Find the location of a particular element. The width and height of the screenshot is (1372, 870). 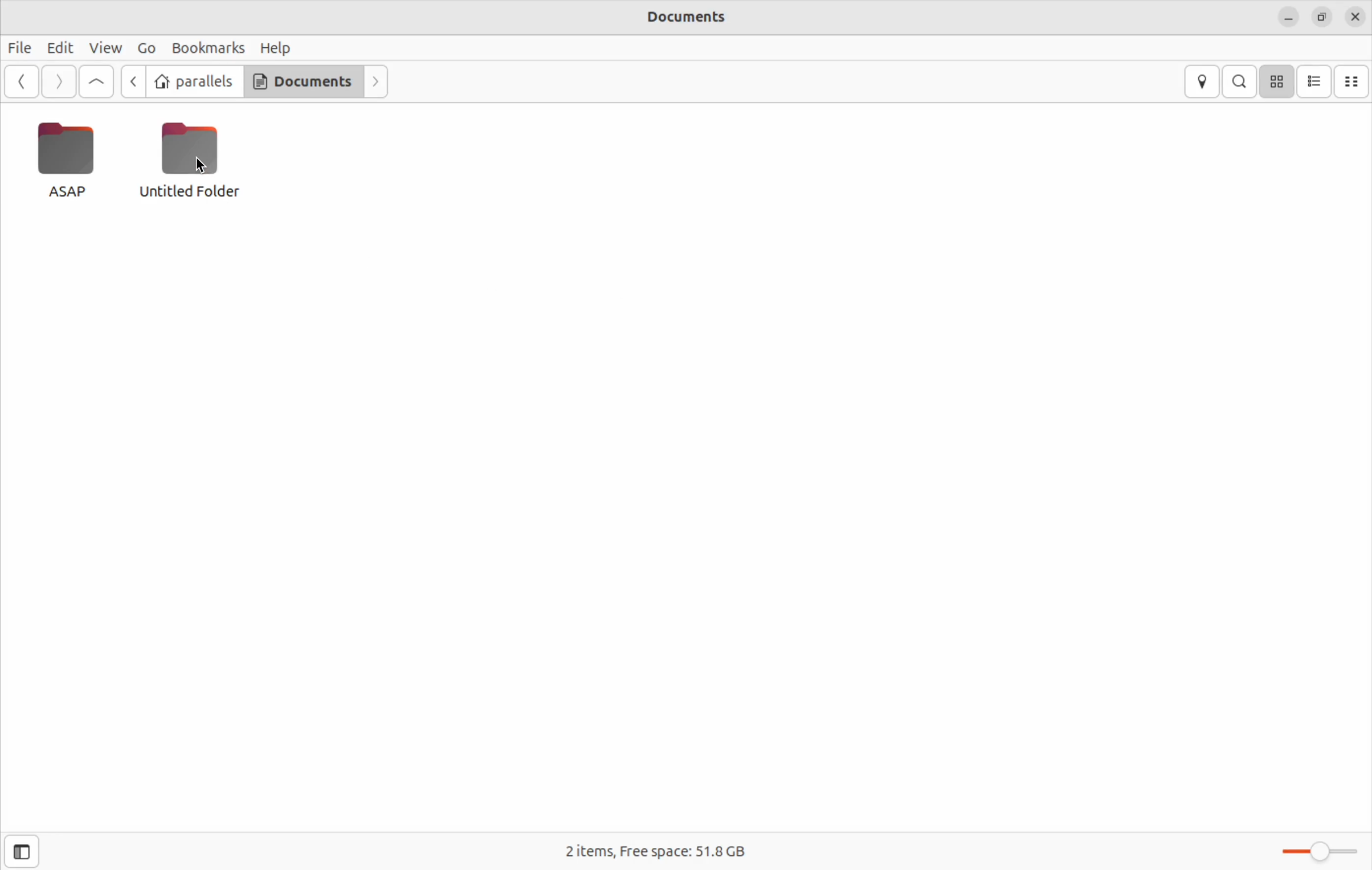

minimize is located at coordinates (1288, 18).